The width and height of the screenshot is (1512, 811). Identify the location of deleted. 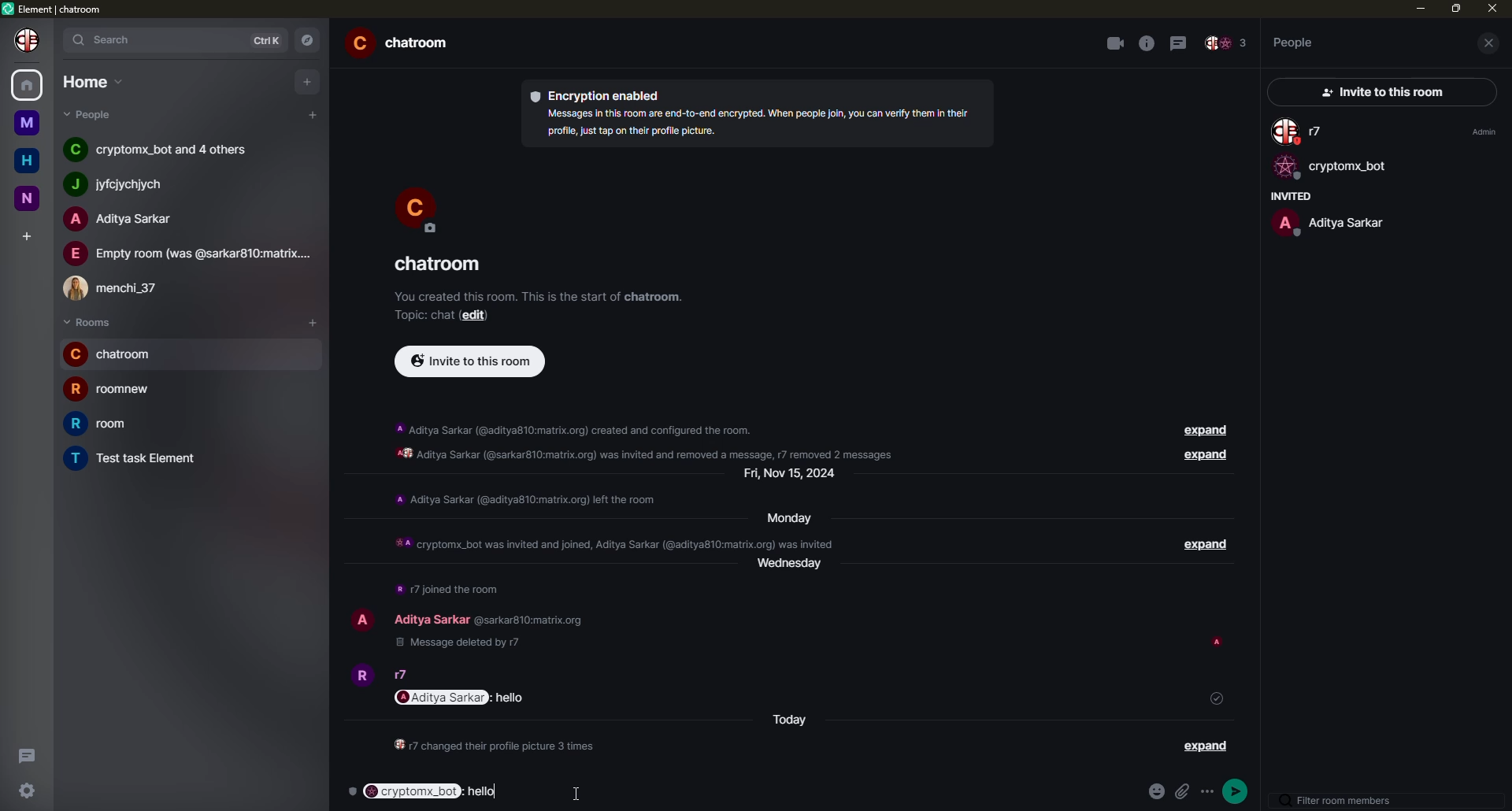
(455, 643).